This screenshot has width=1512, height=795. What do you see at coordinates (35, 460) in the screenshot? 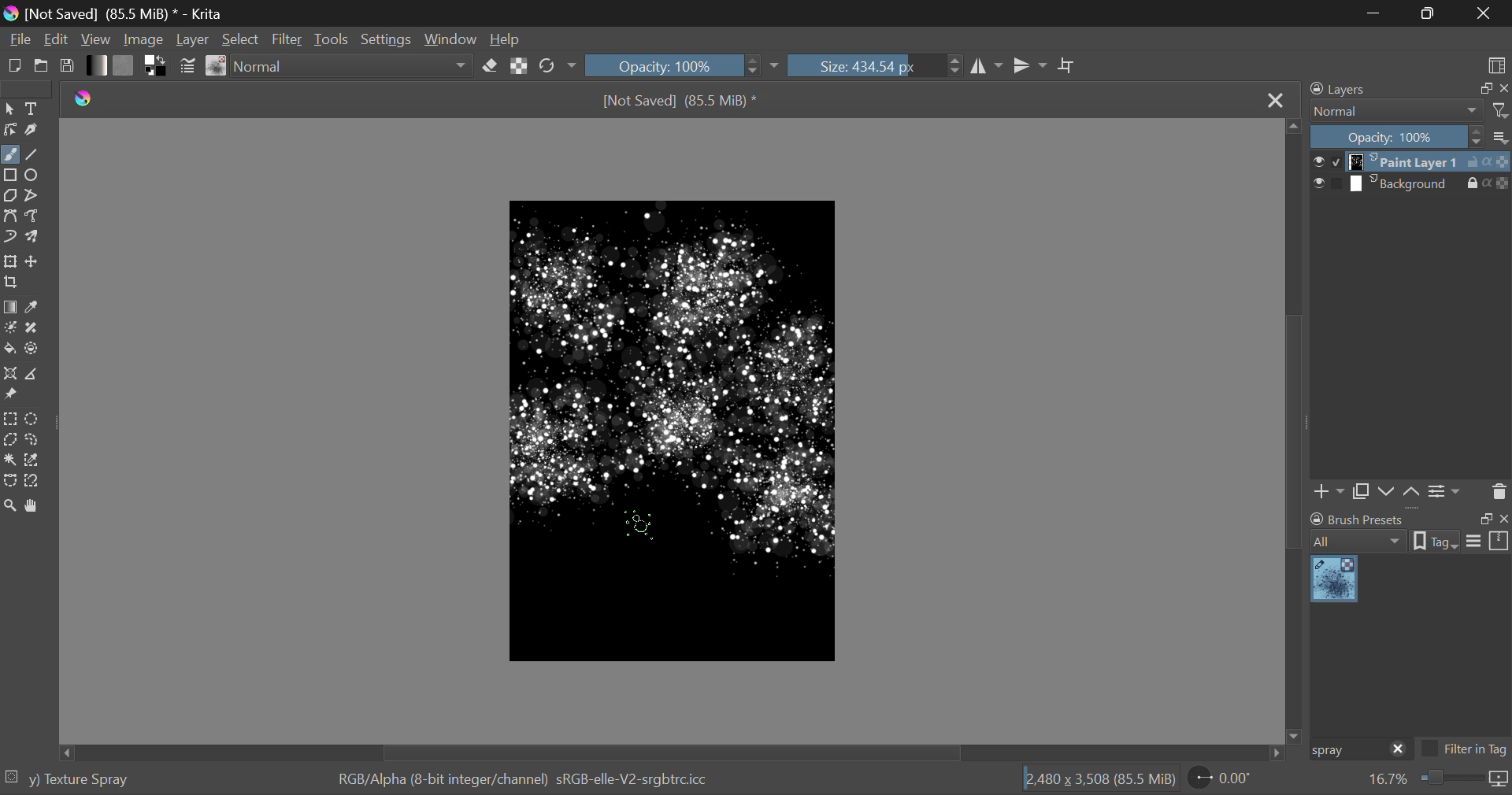
I see `Similar Color Selector` at bounding box center [35, 460].